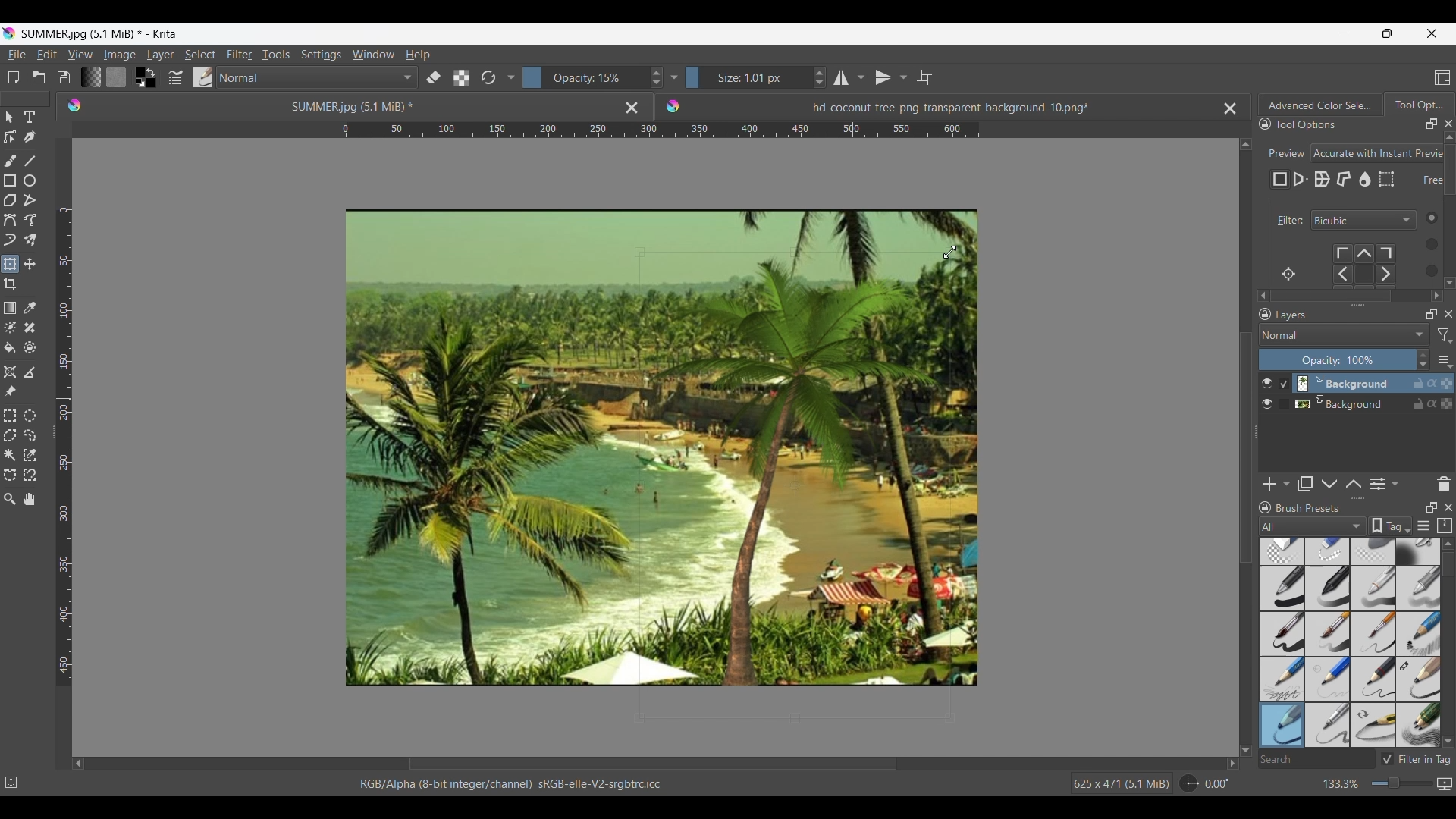 The height and width of the screenshot is (819, 1456). Describe the element at coordinates (1448, 314) in the screenshot. I see `Close layers panel` at that location.